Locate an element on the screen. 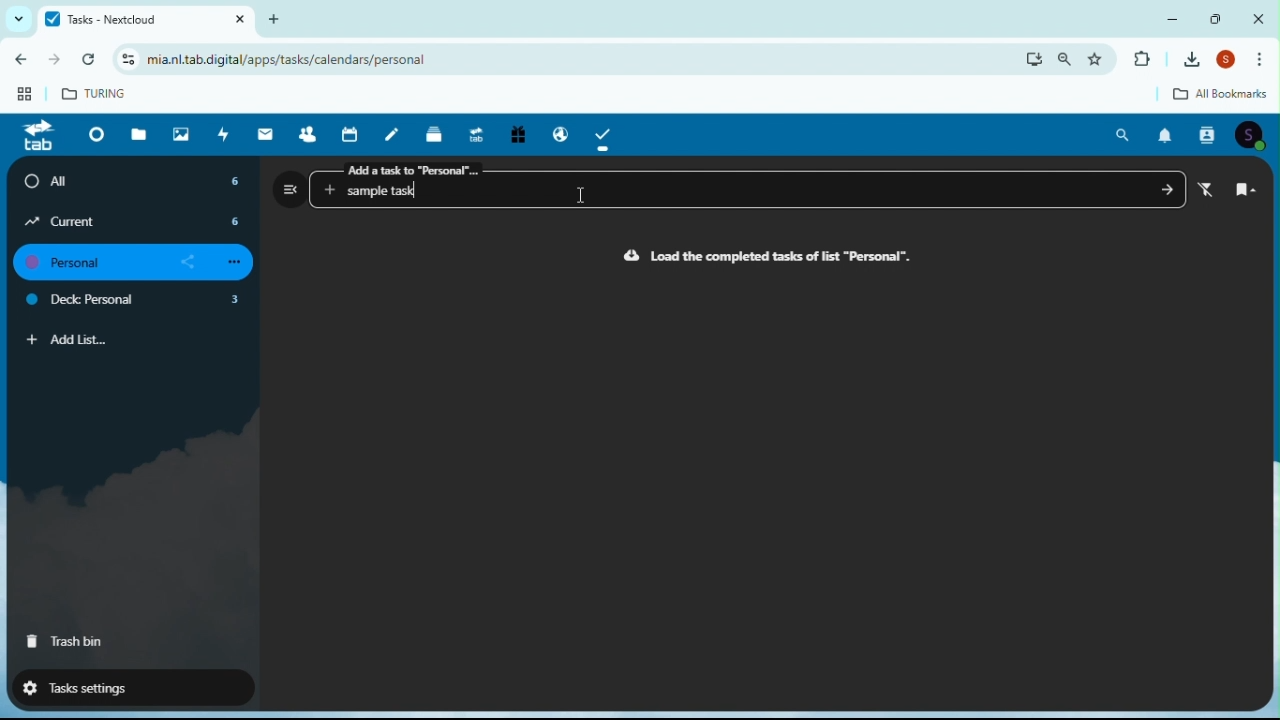 This screenshot has width=1280, height=720. cursor is located at coordinates (582, 199).